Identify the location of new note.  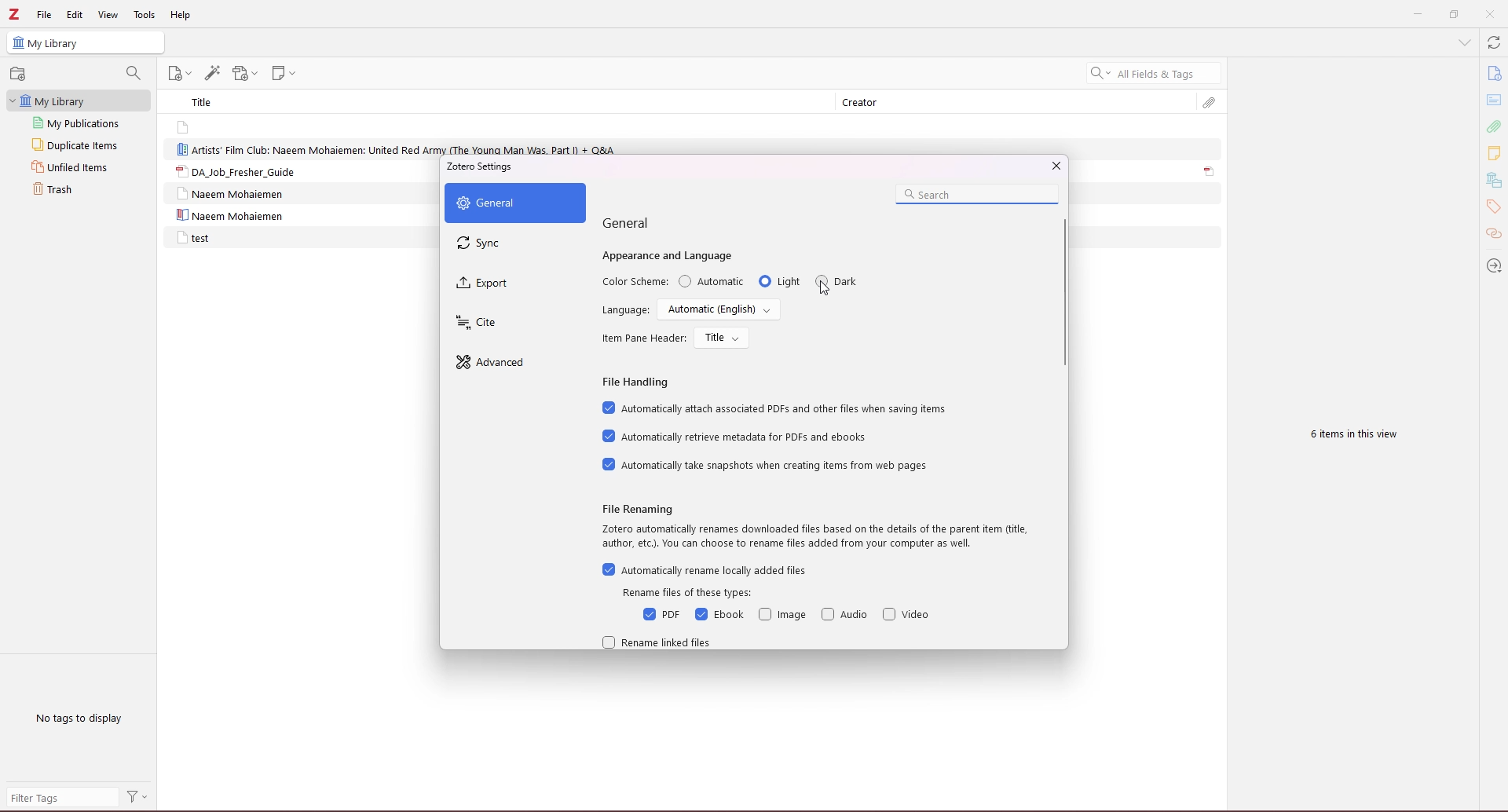
(287, 73).